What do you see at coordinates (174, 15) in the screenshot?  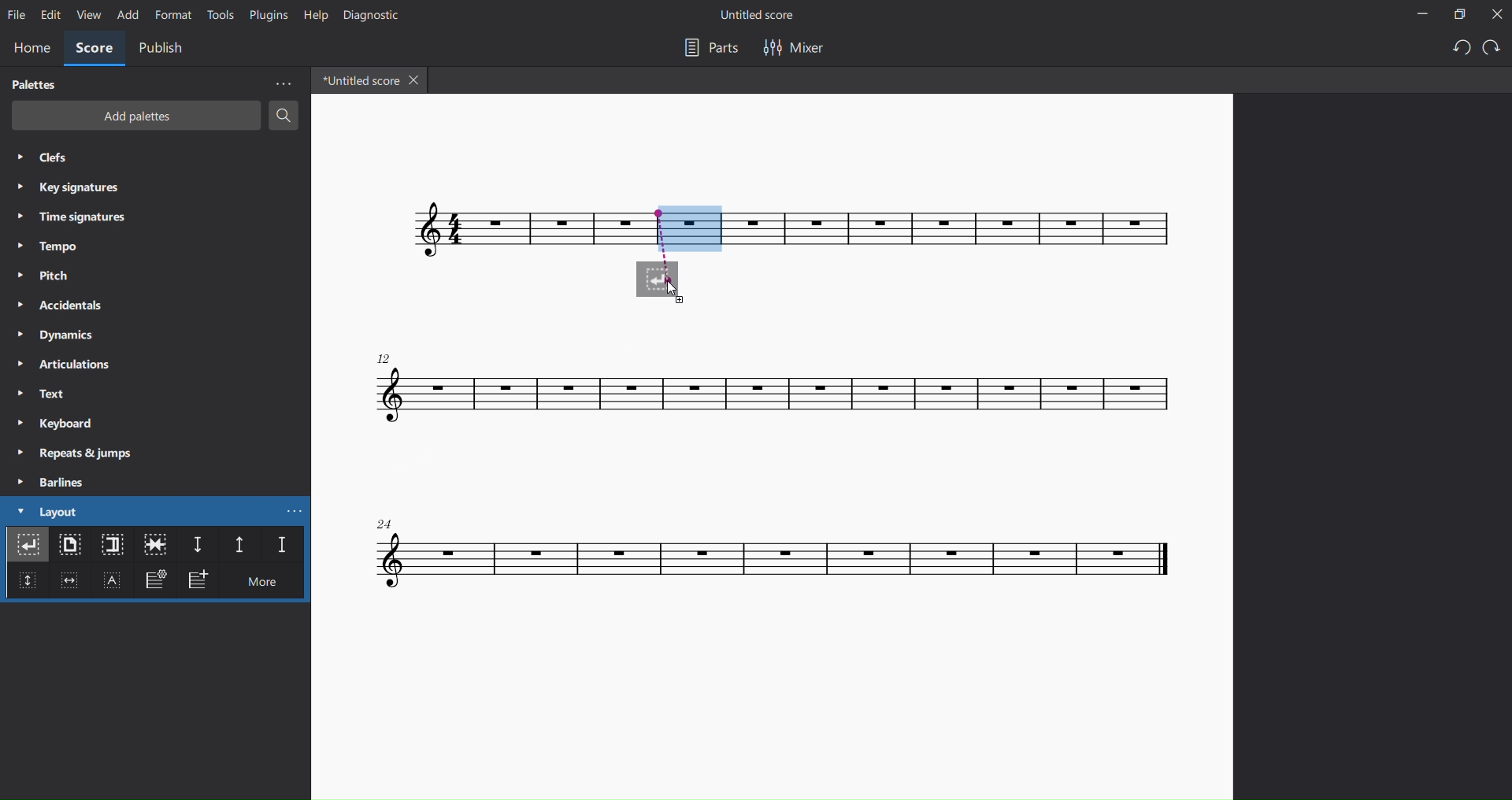 I see `format` at bounding box center [174, 15].